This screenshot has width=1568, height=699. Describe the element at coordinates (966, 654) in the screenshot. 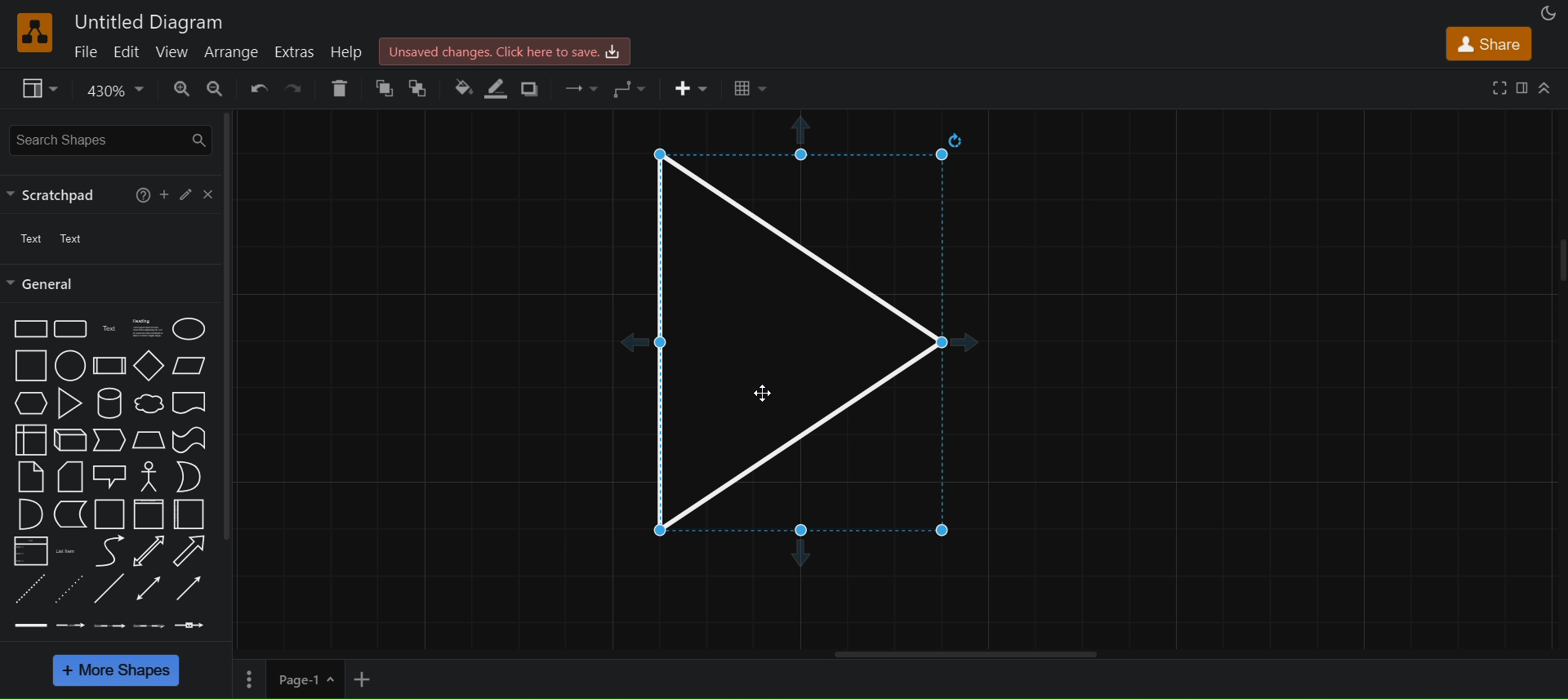

I see `Horizontal scroll bar` at that location.